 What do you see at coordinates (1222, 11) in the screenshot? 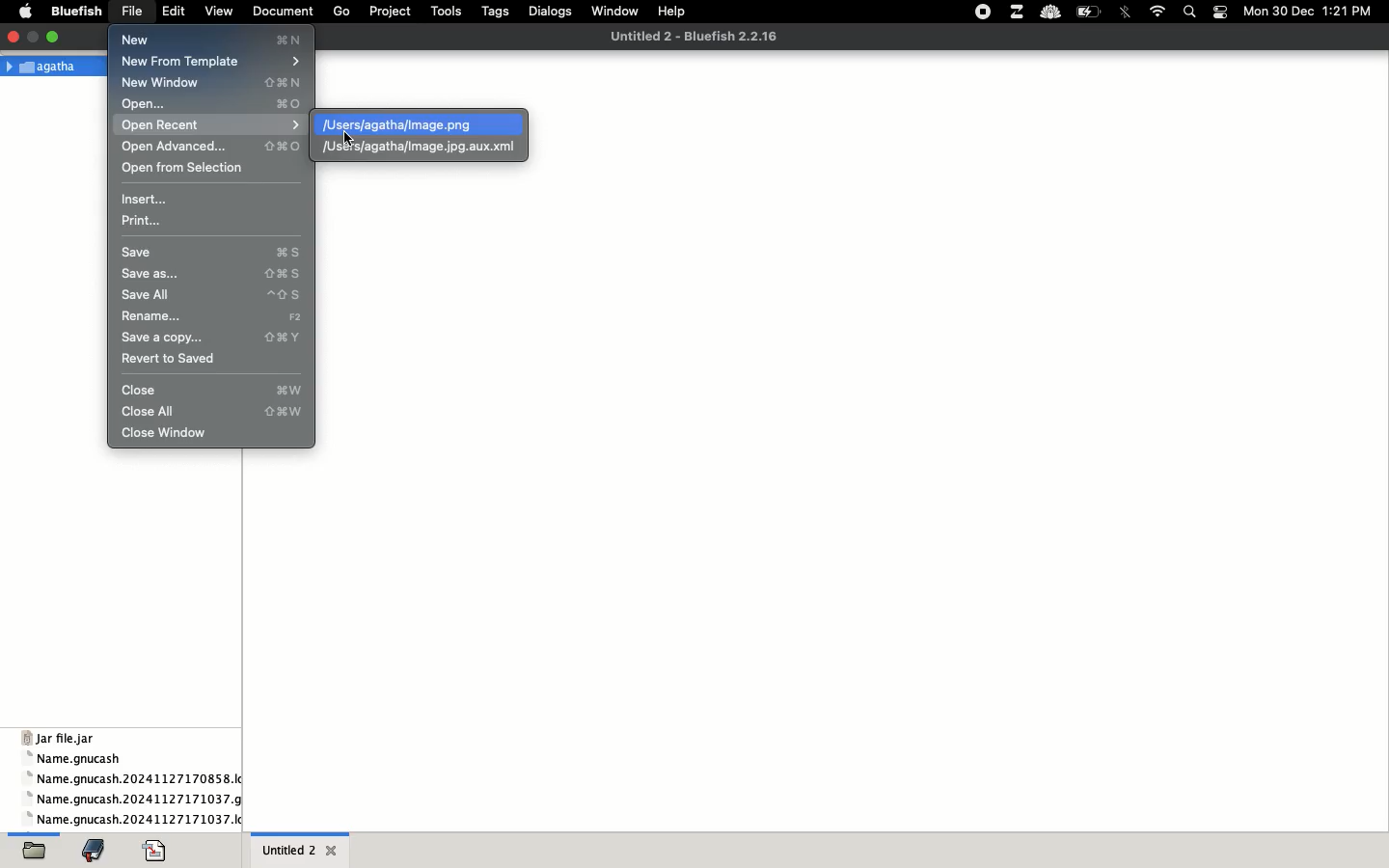
I see `notification` at bounding box center [1222, 11].